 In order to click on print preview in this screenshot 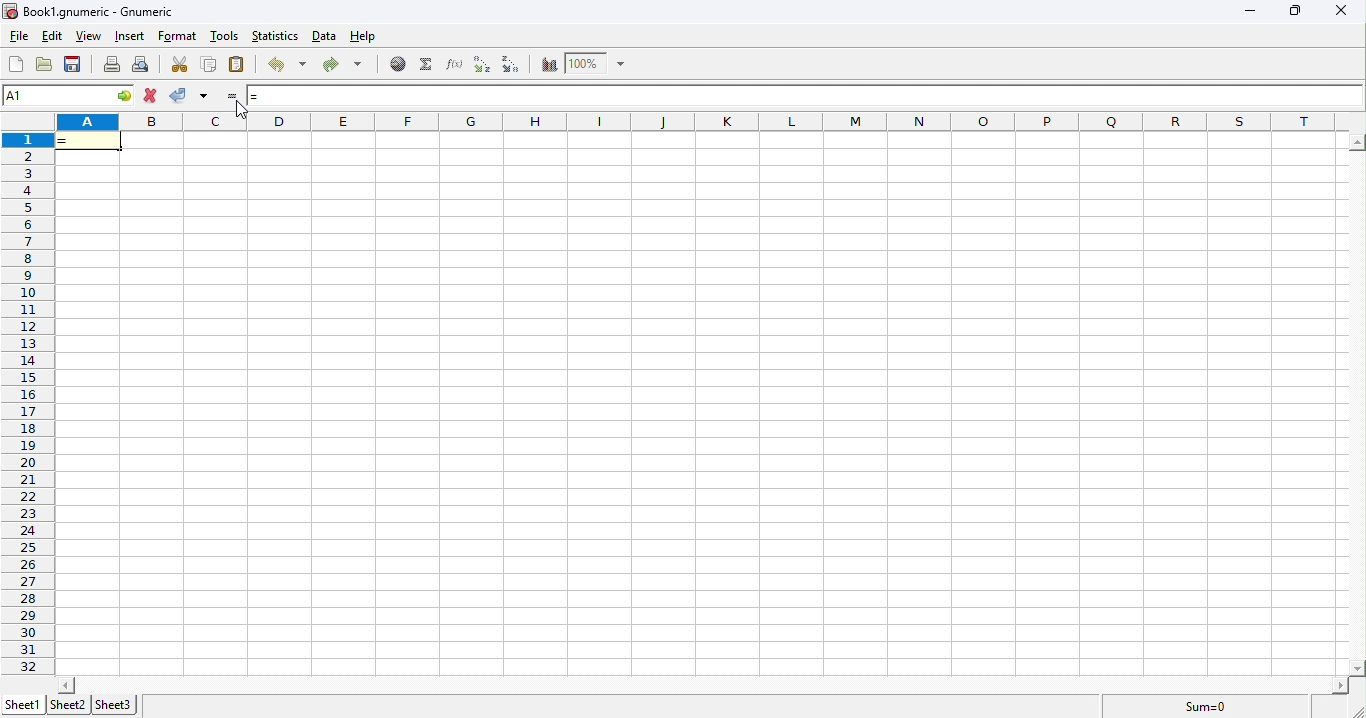, I will do `click(143, 66)`.